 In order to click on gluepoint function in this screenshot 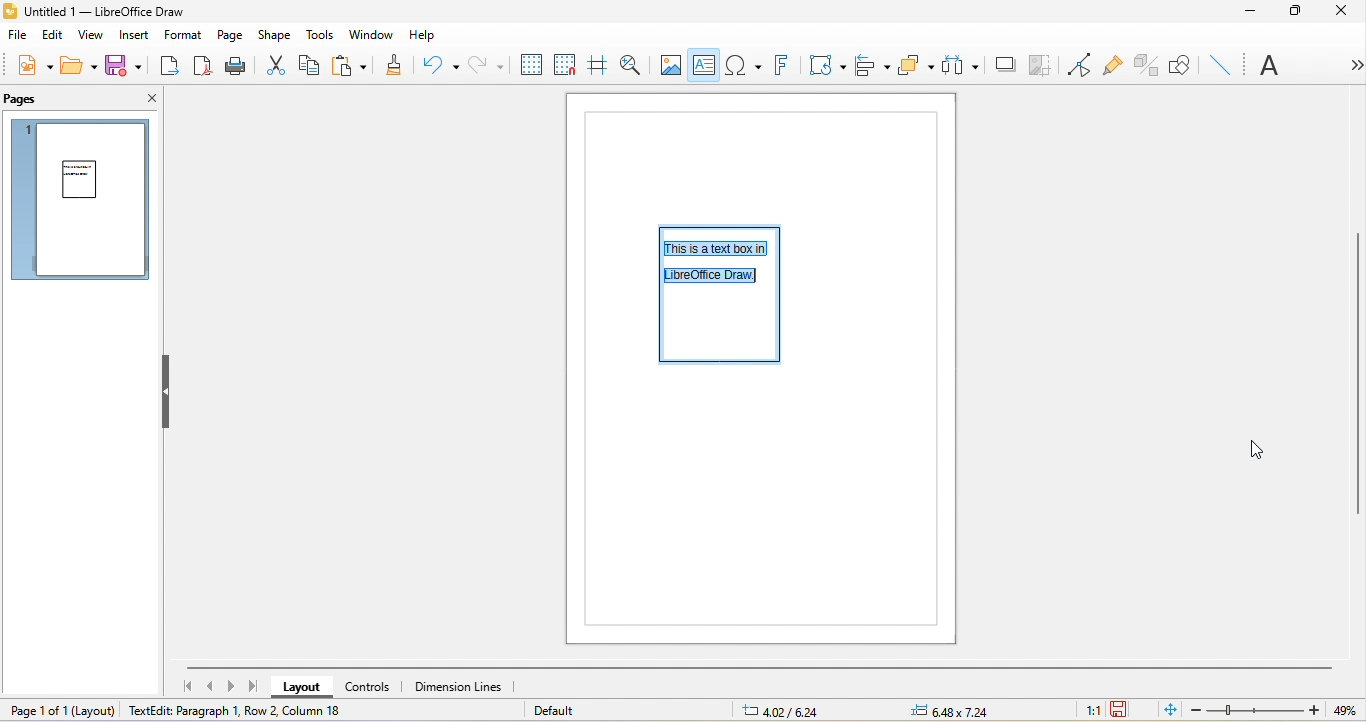, I will do `click(1115, 63)`.